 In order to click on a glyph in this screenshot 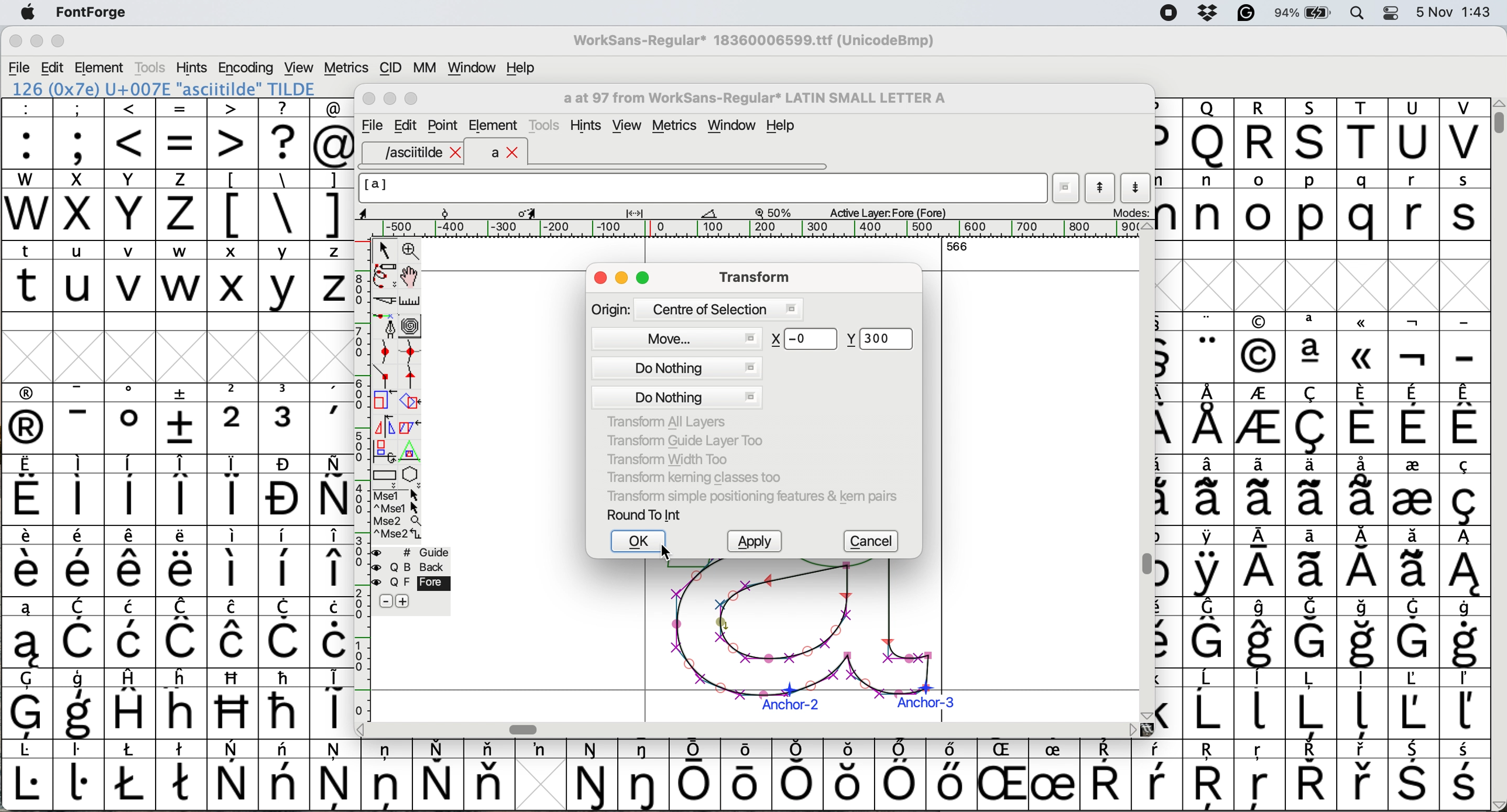, I will do `click(798, 640)`.